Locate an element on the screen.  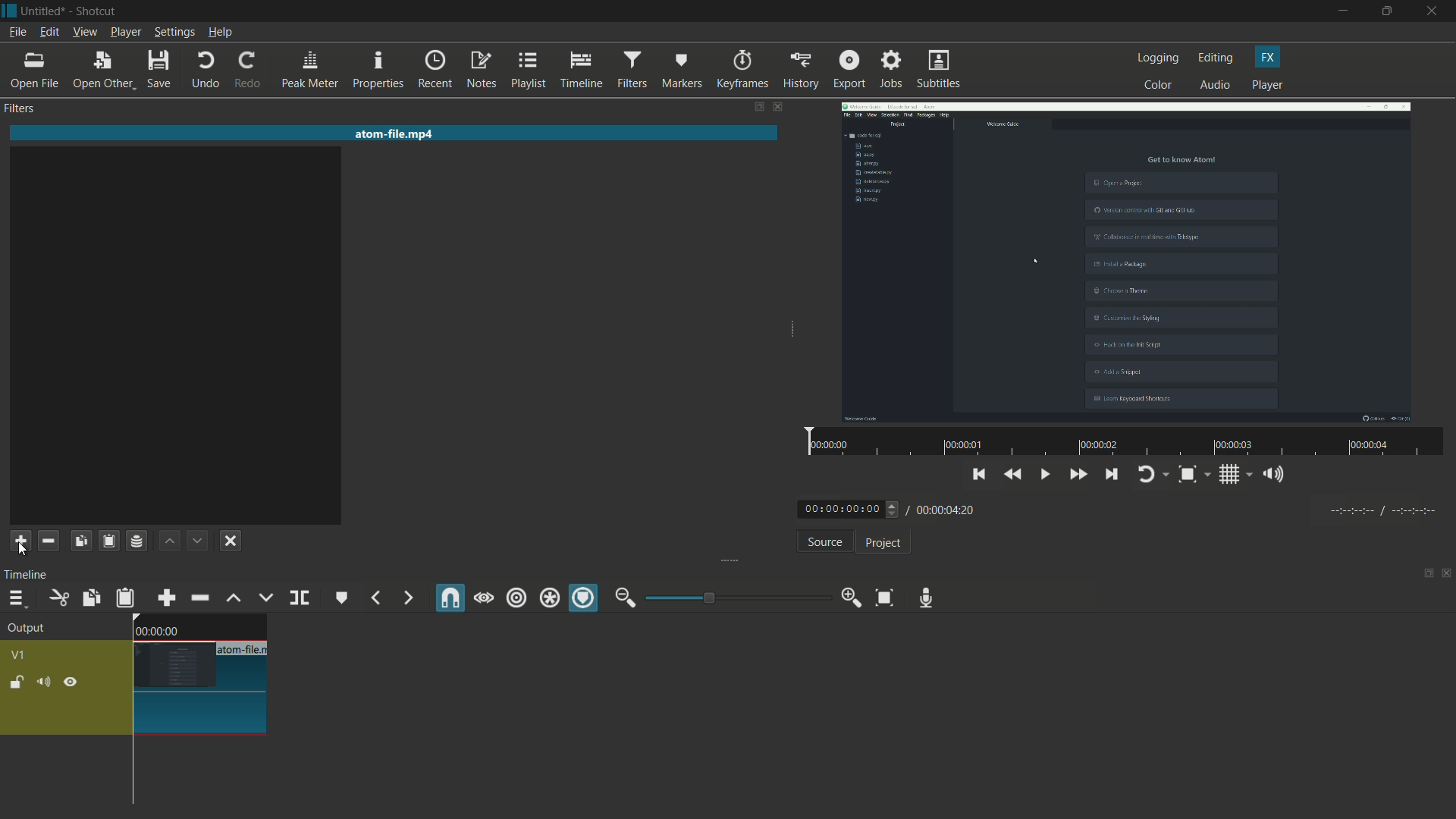
v1 is located at coordinates (21, 654).